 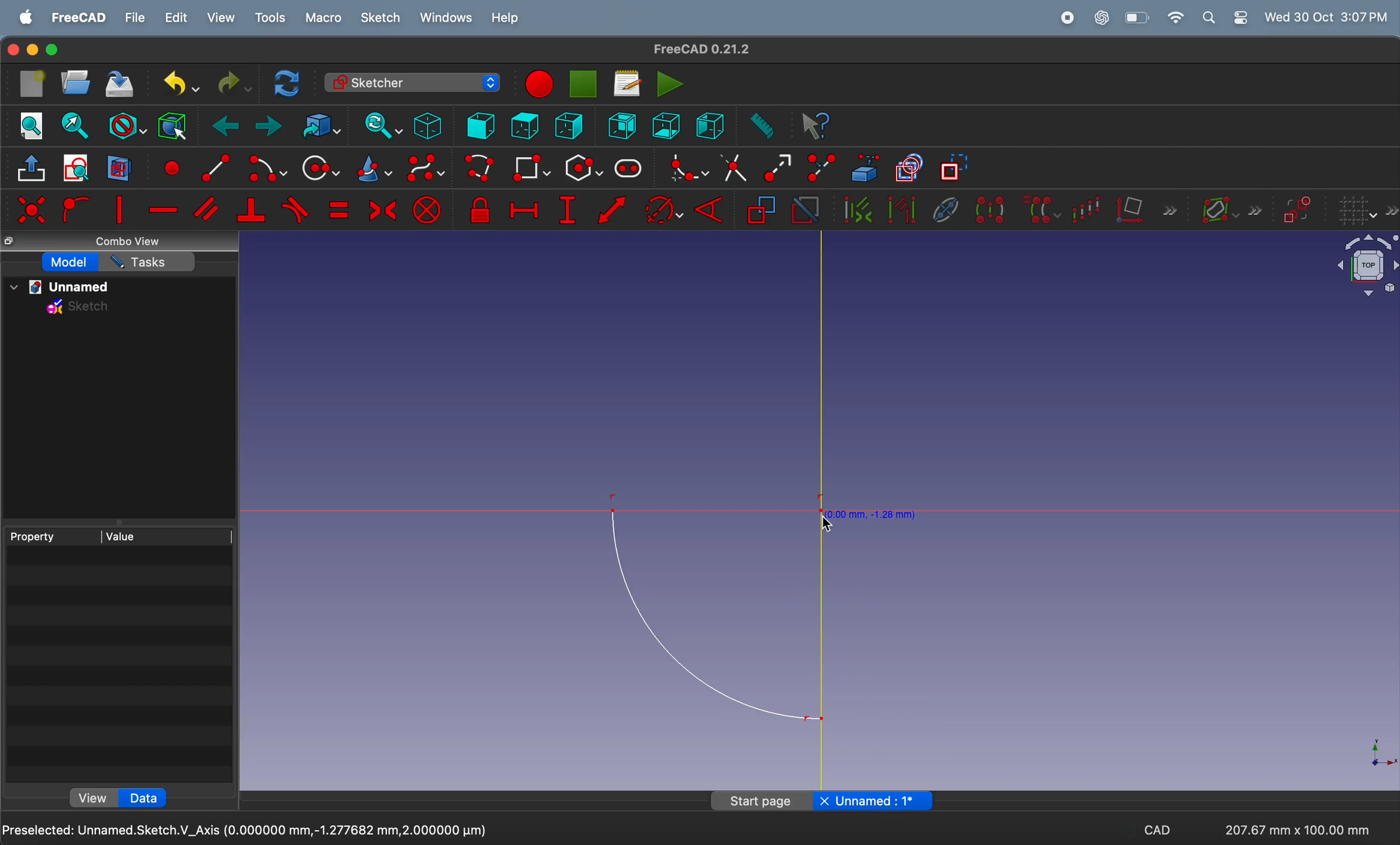 I want to click on create fillet, so click(x=685, y=168).